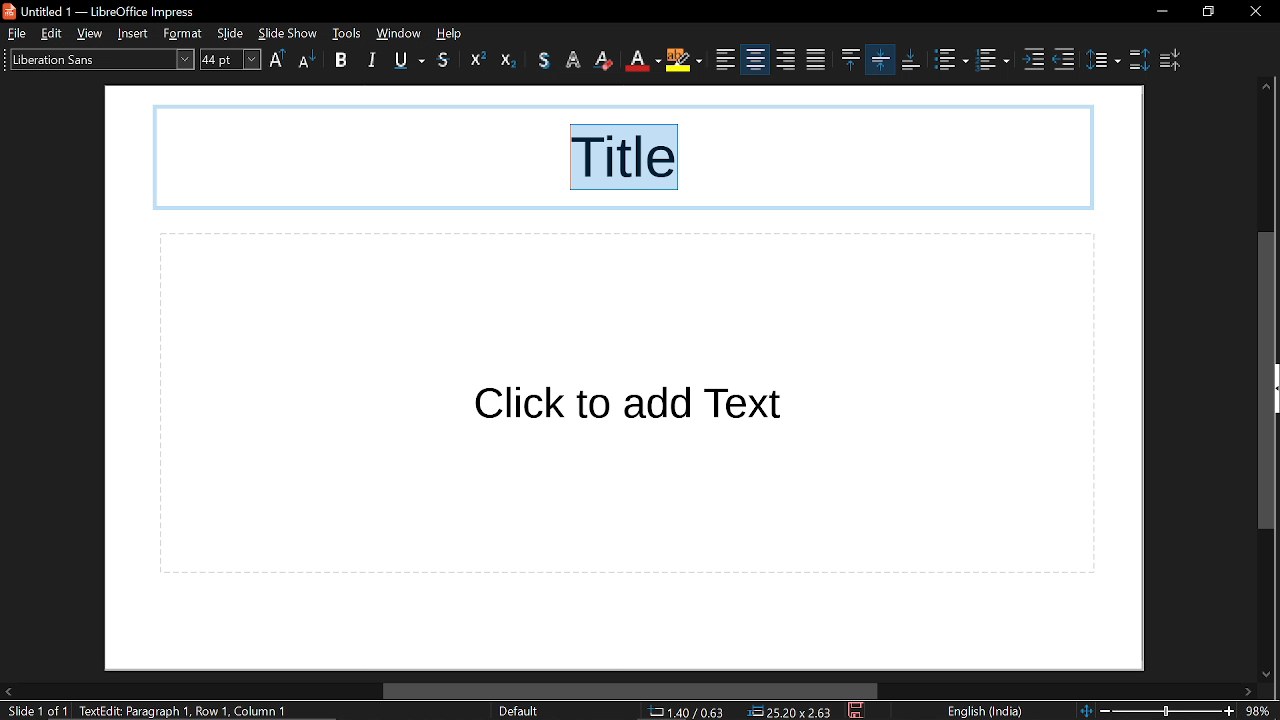 The image size is (1280, 720). Describe the element at coordinates (1103, 58) in the screenshot. I see `set line spacing` at that location.